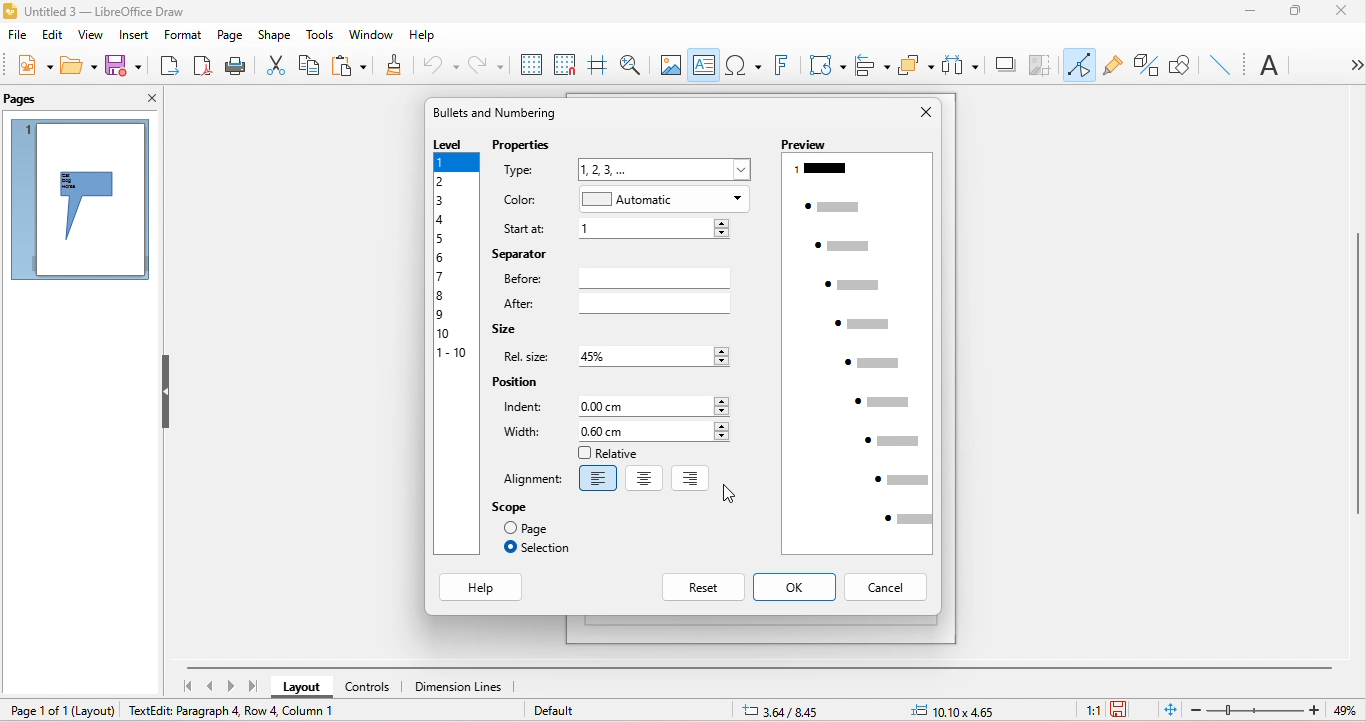 The width and height of the screenshot is (1366, 722). Describe the element at coordinates (181, 37) in the screenshot. I see `format` at that location.